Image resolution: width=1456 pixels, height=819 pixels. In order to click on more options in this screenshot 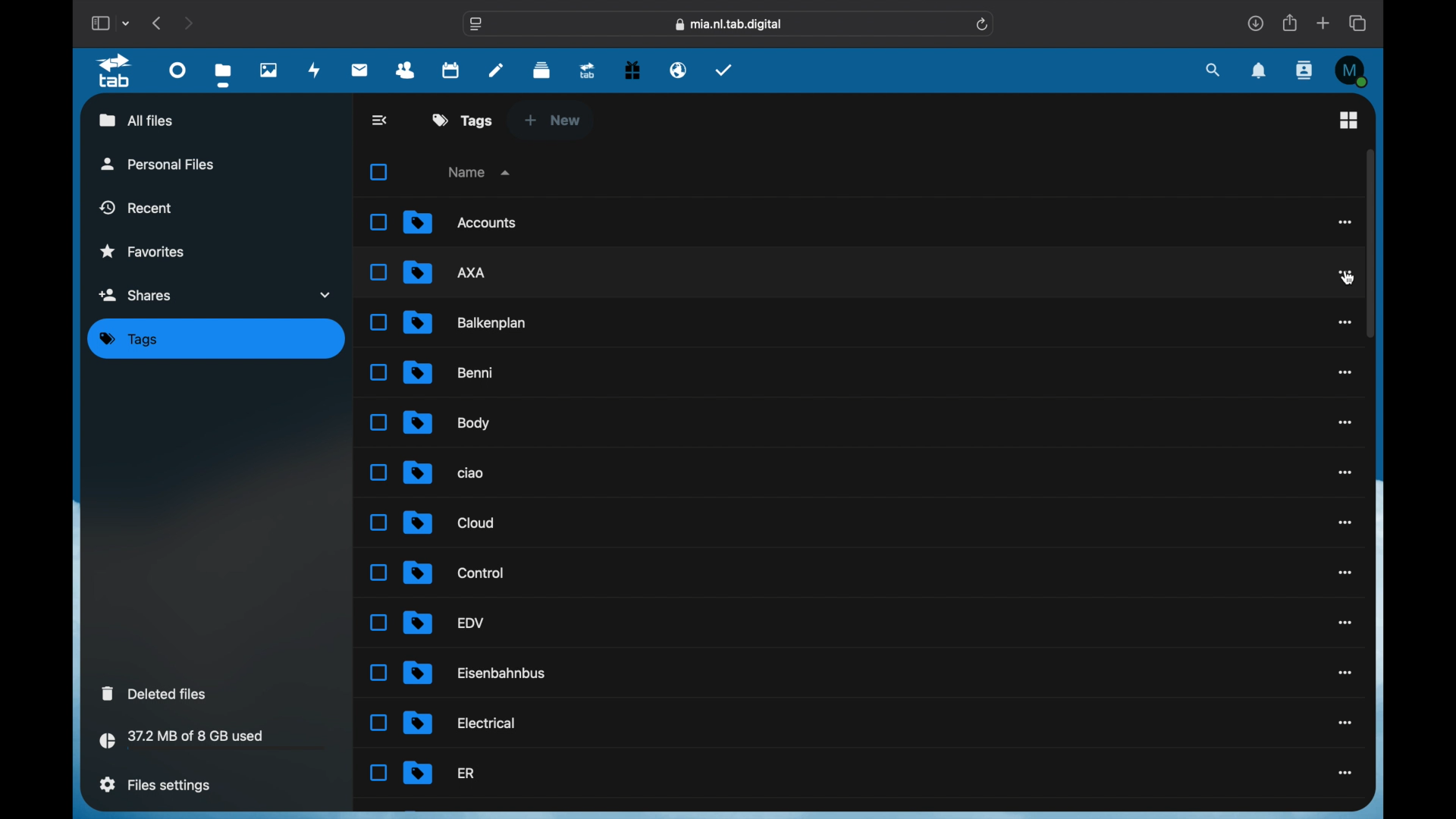, I will do `click(1346, 723)`.